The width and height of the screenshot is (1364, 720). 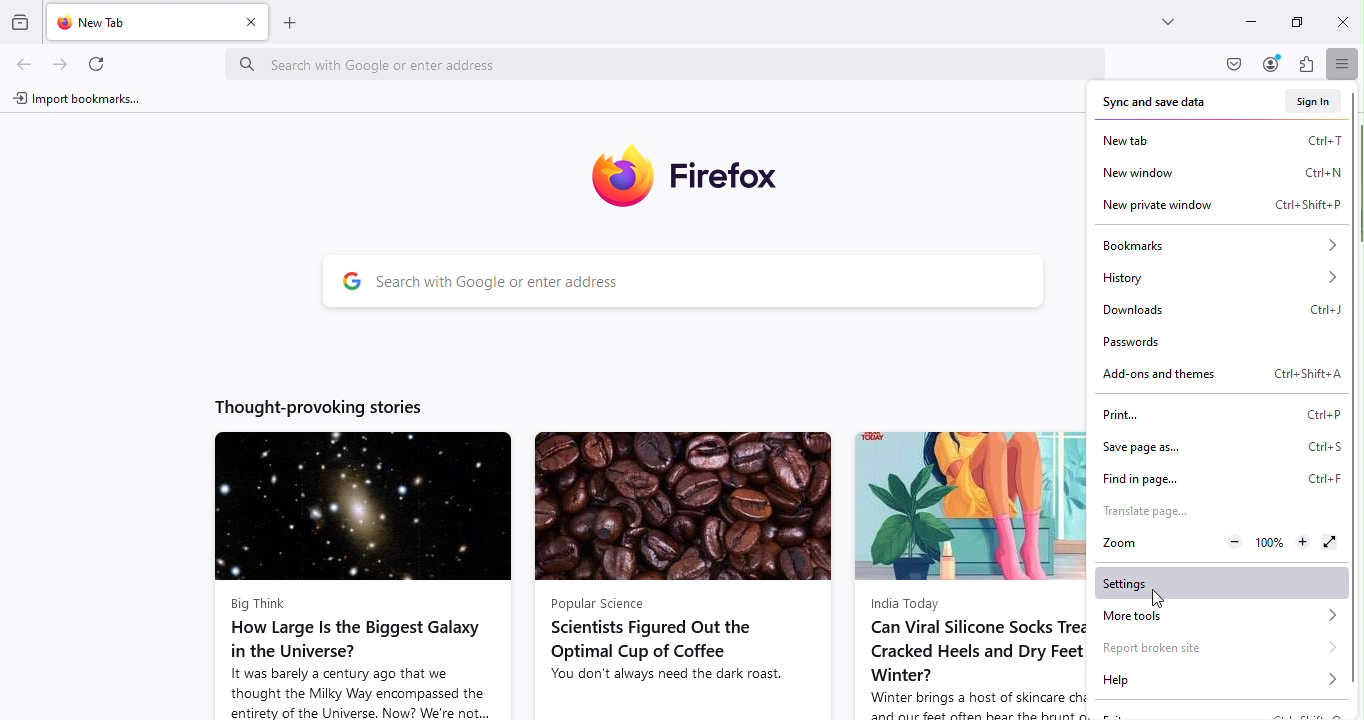 I want to click on Close tab, so click(x=250, y=22).